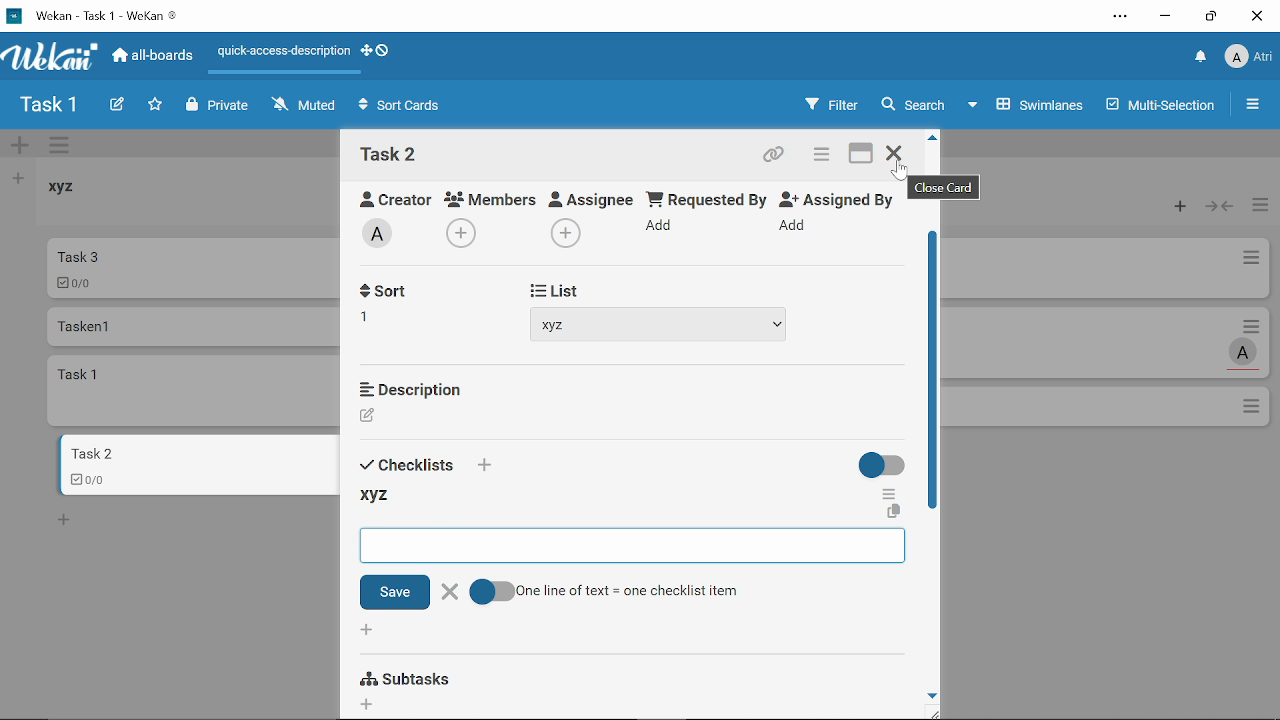 This screenshot has height=720, width=1280. Describe the element at coordinates (818, 157) in the screenshot. I see `Card actions` at that location.